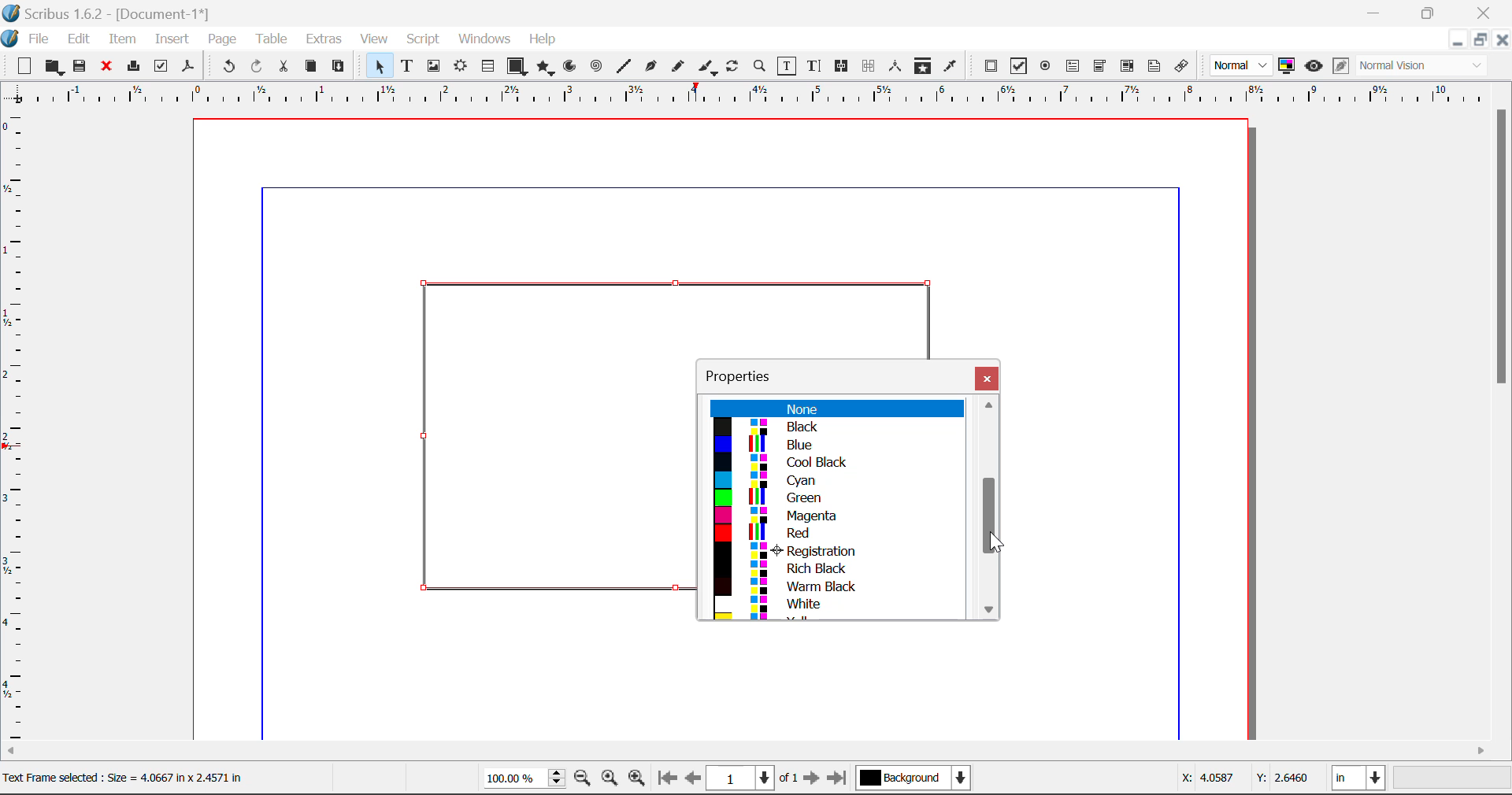 Image resolution: width=1512 pixels, height=795 pixels. Describe the element at coordinates (831, 567) in the screenshot. I see `Rich Black` at that location.